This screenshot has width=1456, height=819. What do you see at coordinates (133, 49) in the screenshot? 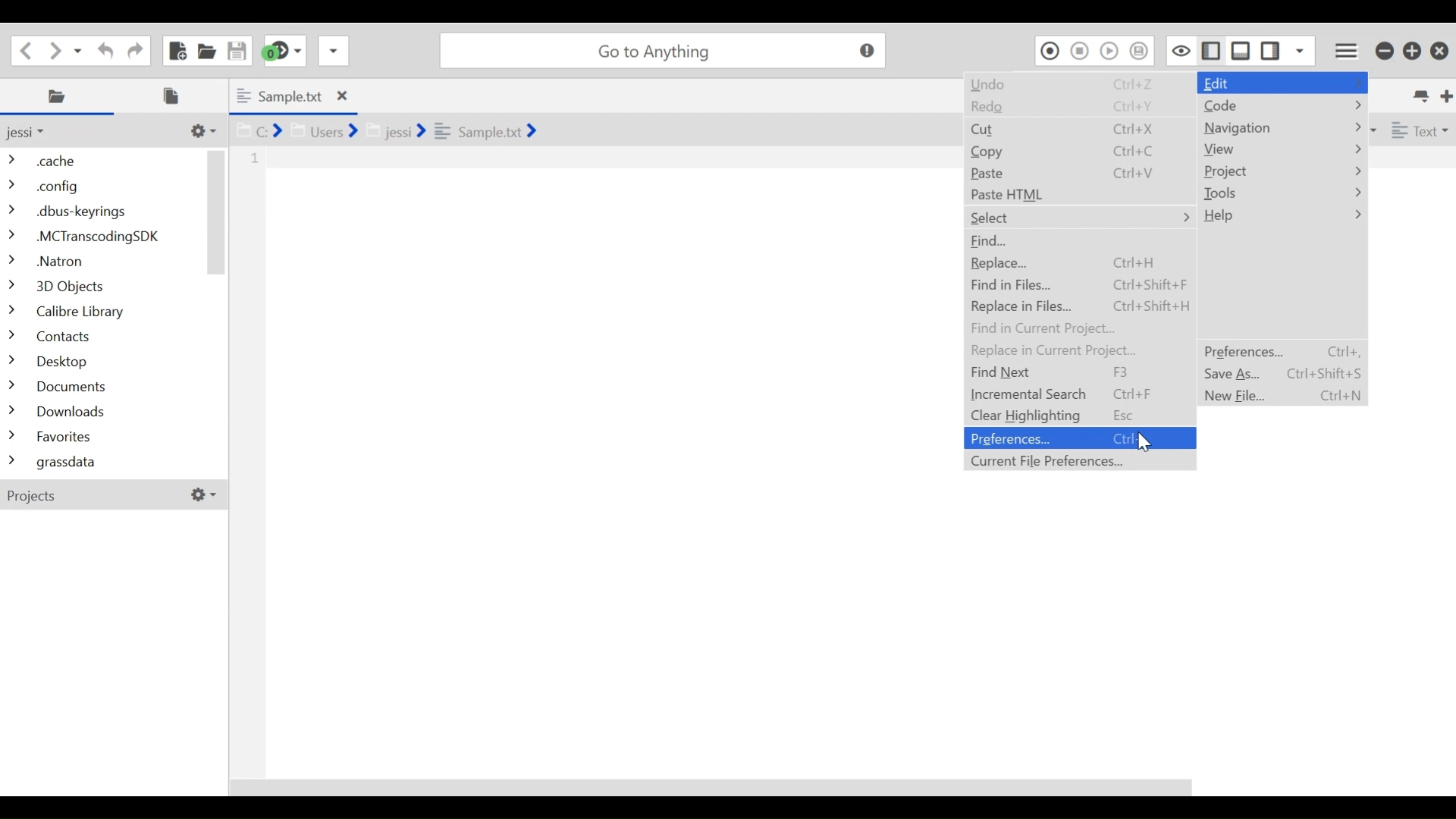
I see `Redo` at bounding box center [133, 49].